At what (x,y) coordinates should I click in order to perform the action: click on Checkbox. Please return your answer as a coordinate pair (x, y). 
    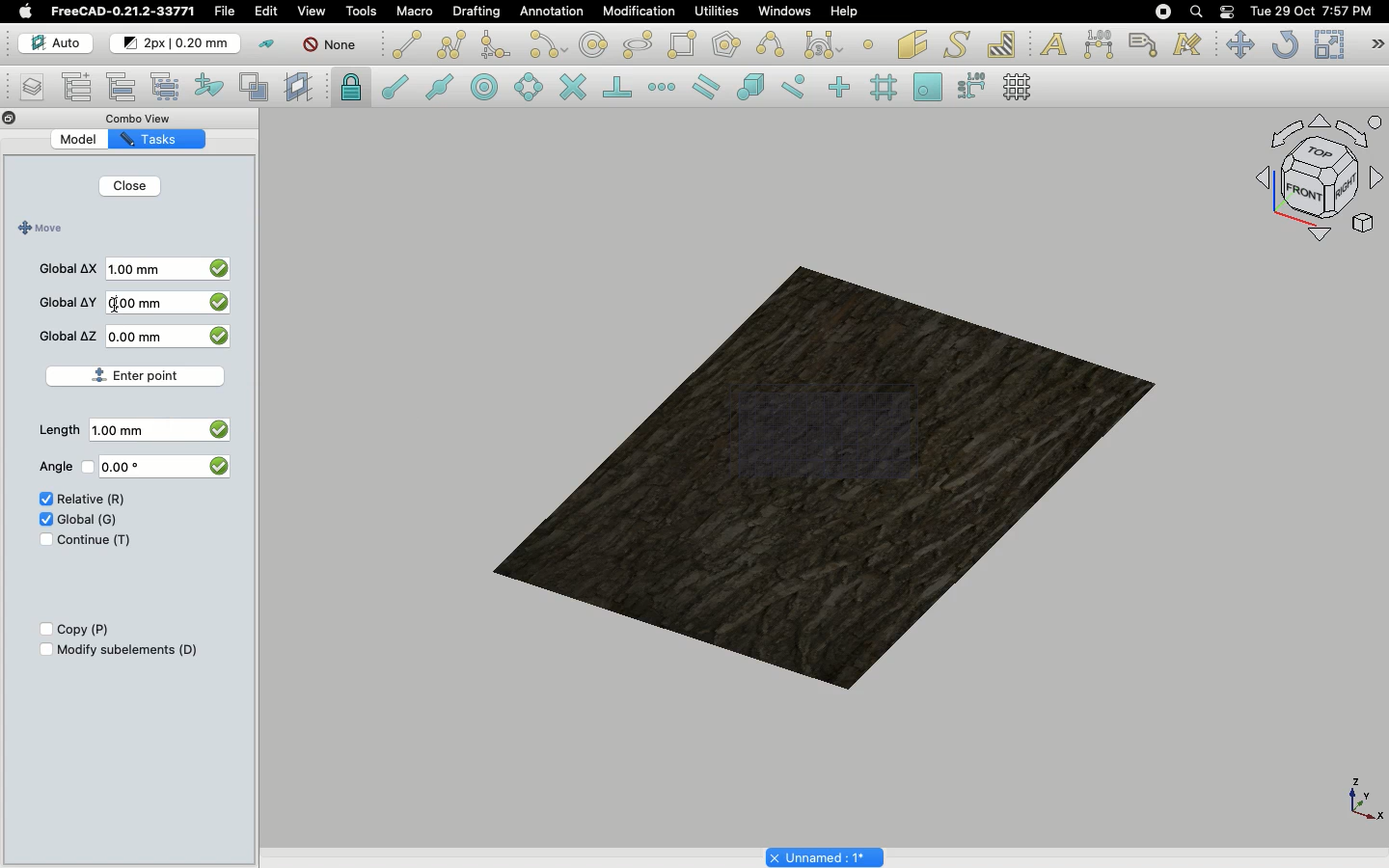
    Looking at the image, I should click on (43, 650).